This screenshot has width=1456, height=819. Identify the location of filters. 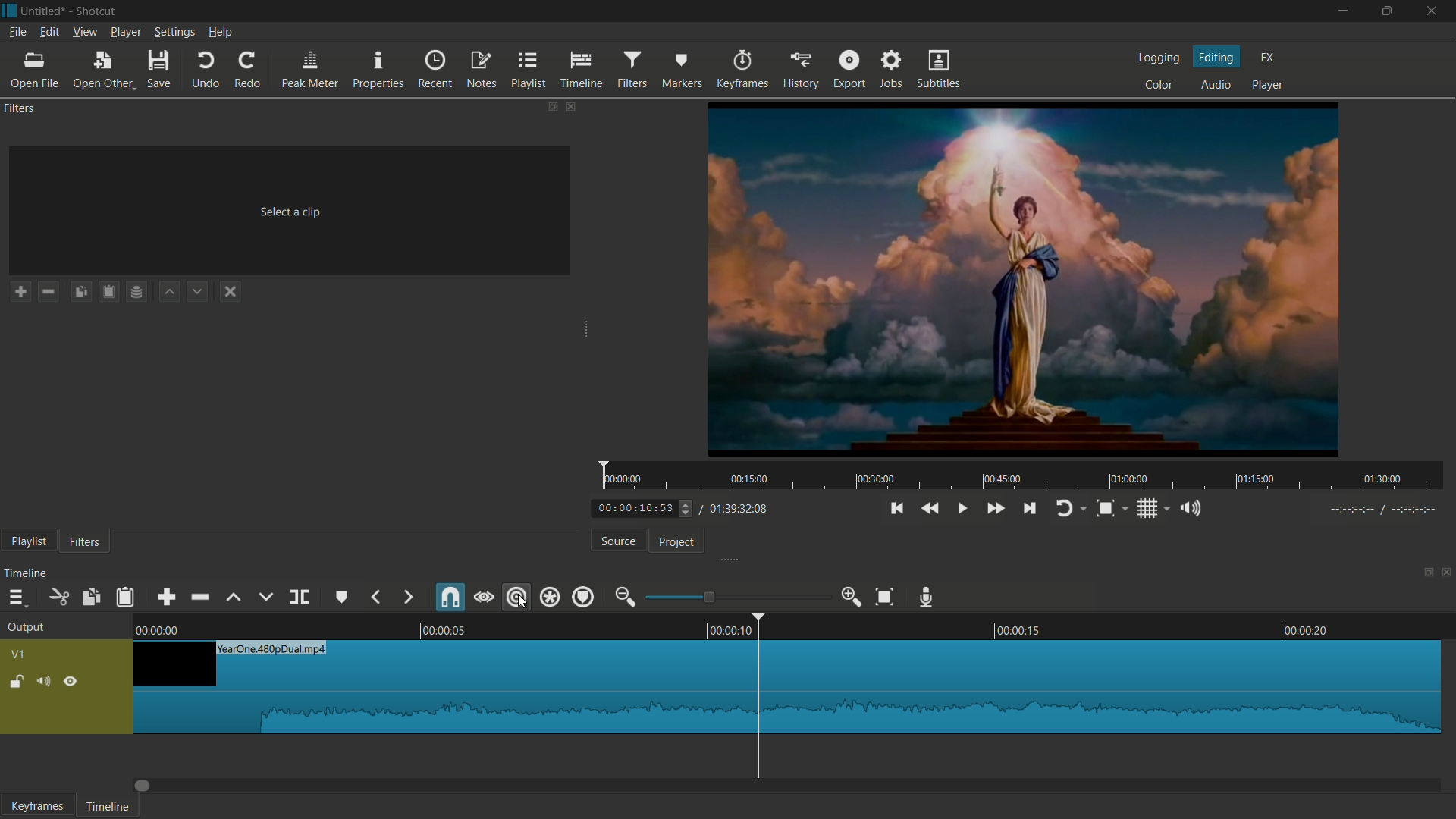
(632, 71).